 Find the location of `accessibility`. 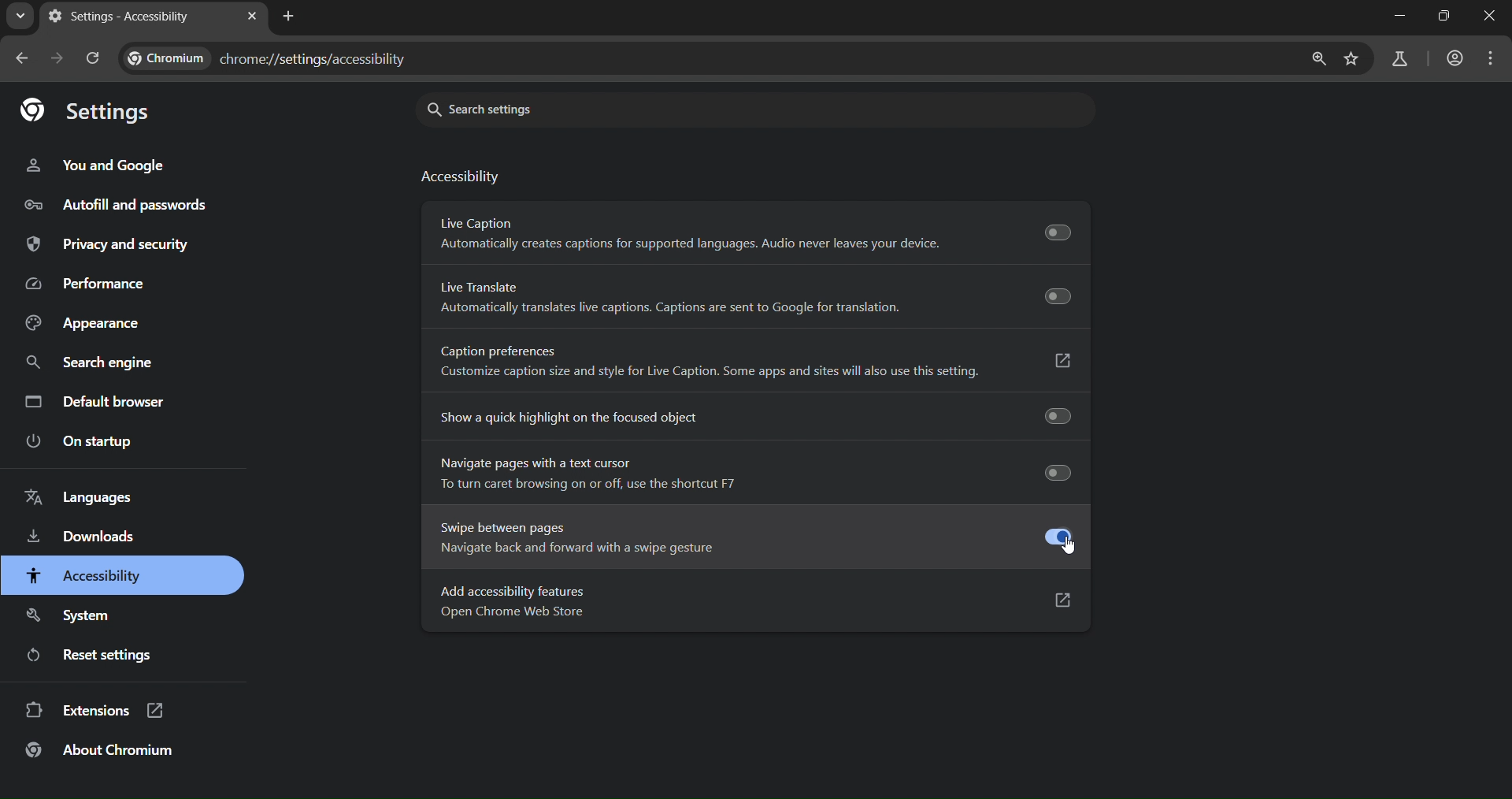

accessibility is located at coordinates (464, 179).